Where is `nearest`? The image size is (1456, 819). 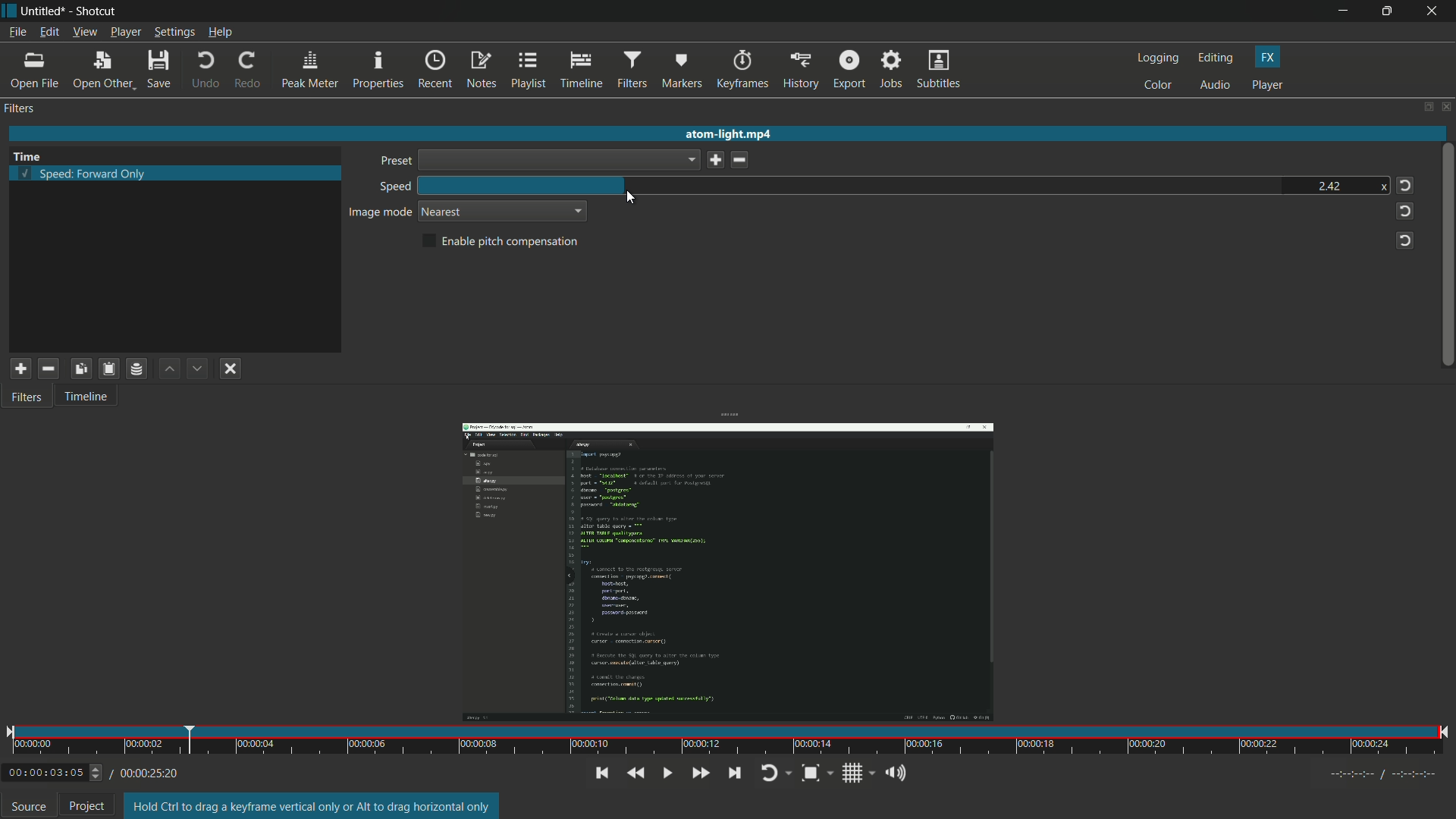 nearest is located at coordinates (443, 212).